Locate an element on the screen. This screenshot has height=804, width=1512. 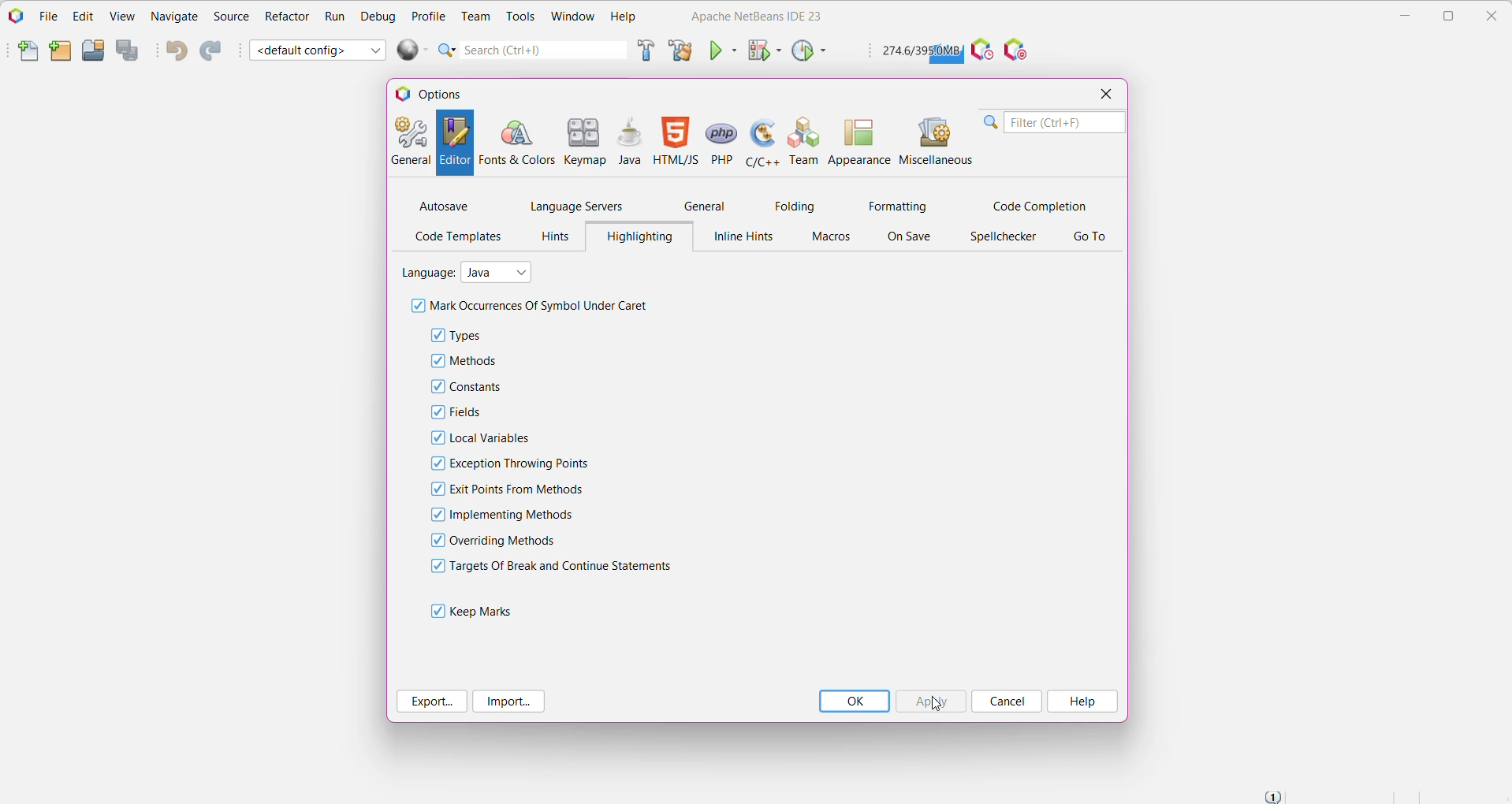
Profile the IDE is located at coordinates (981, 50).